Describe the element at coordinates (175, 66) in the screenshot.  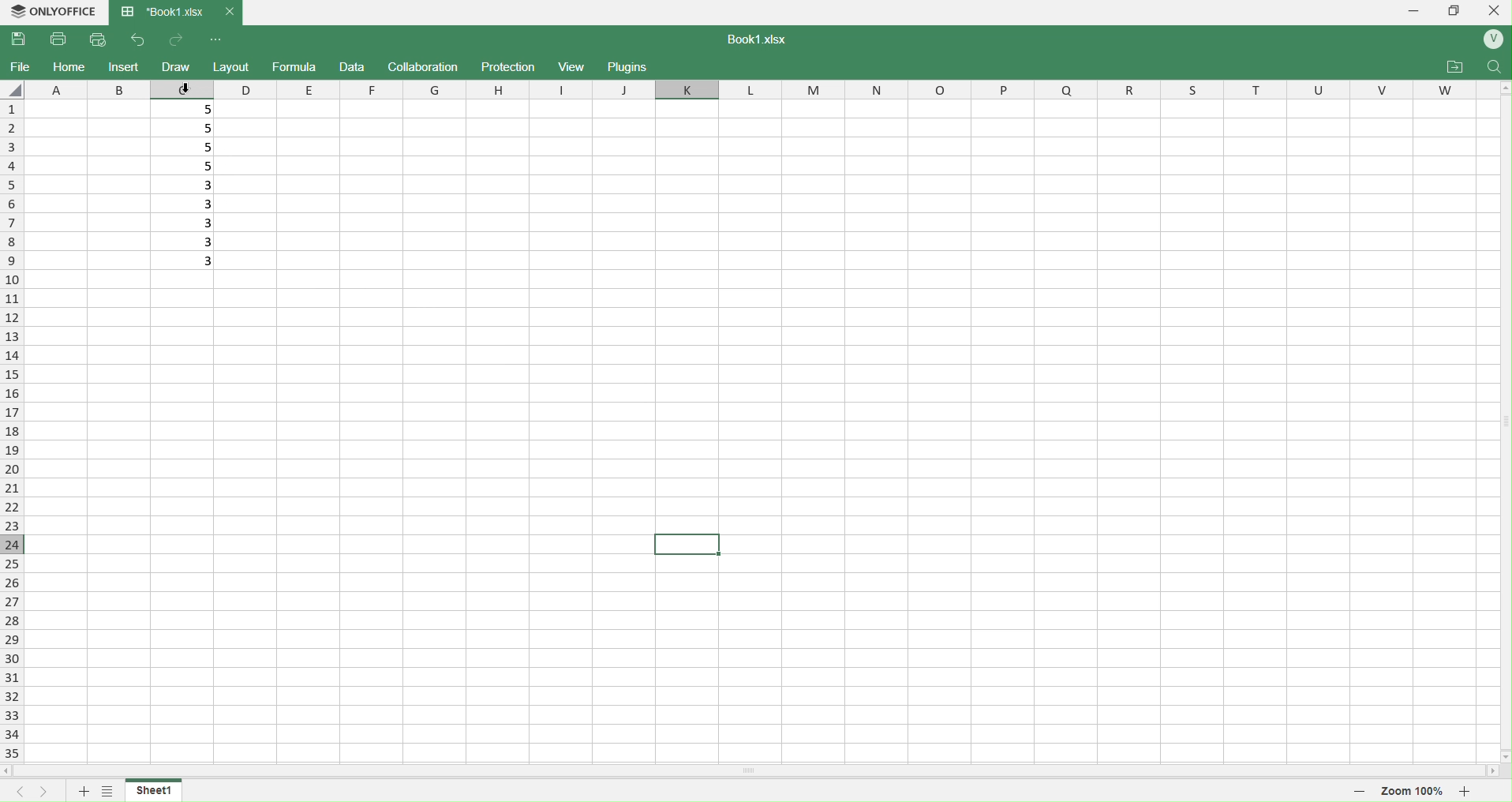
I see `Draw` at that location.